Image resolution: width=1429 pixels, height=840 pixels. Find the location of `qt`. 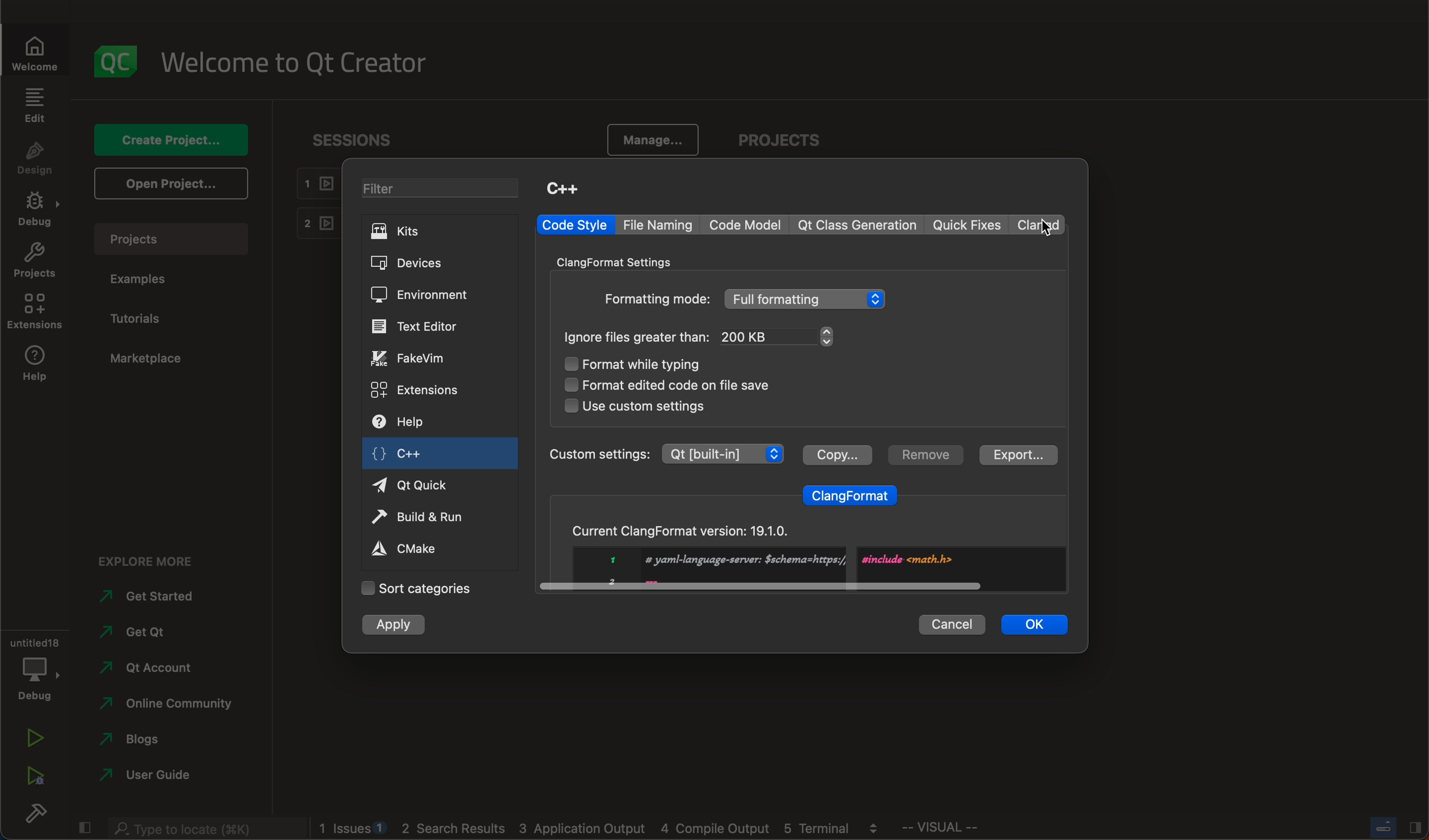

qt is located at coordinates (859, 226).